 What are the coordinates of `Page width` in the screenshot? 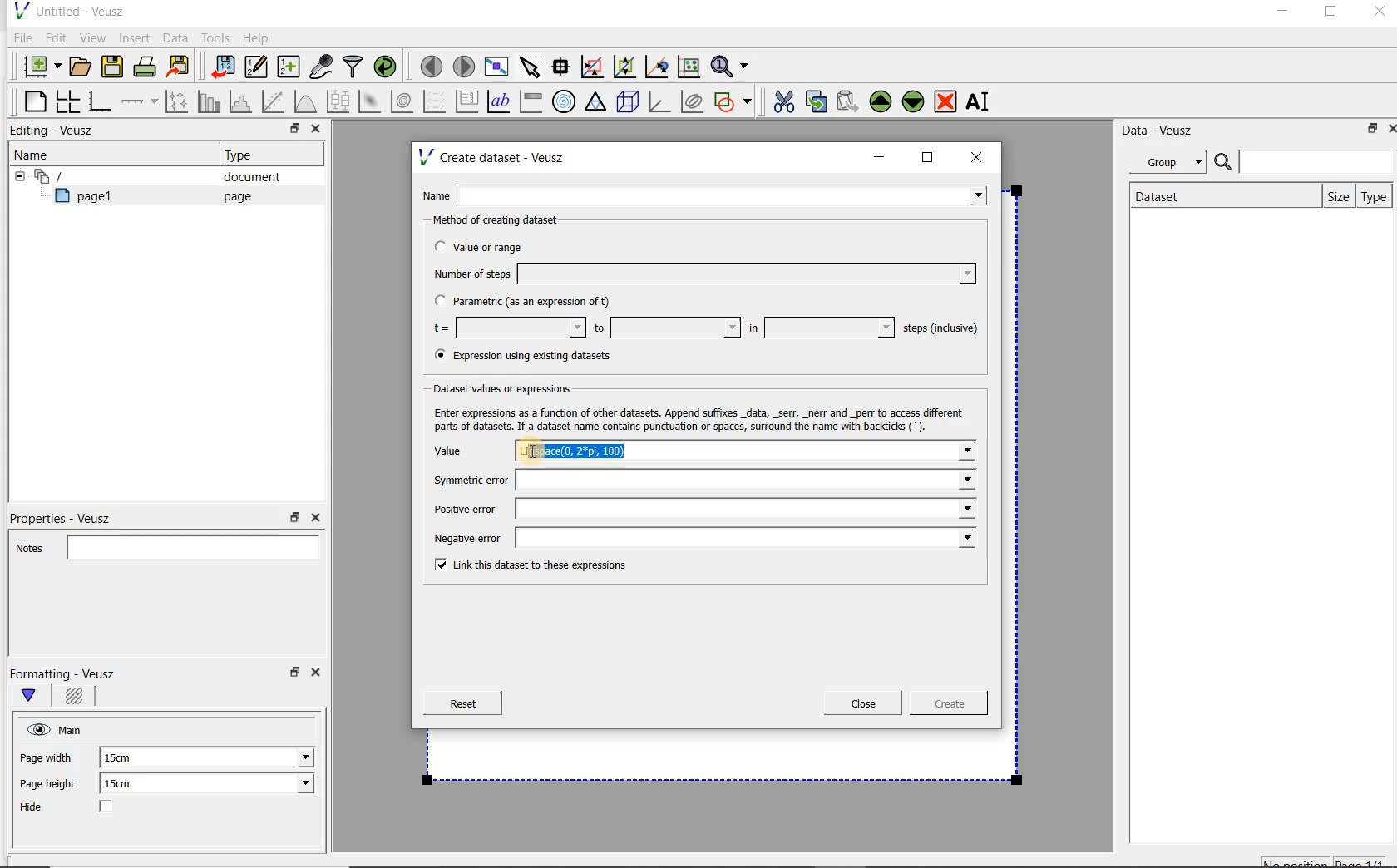 It's located at (47, 755).